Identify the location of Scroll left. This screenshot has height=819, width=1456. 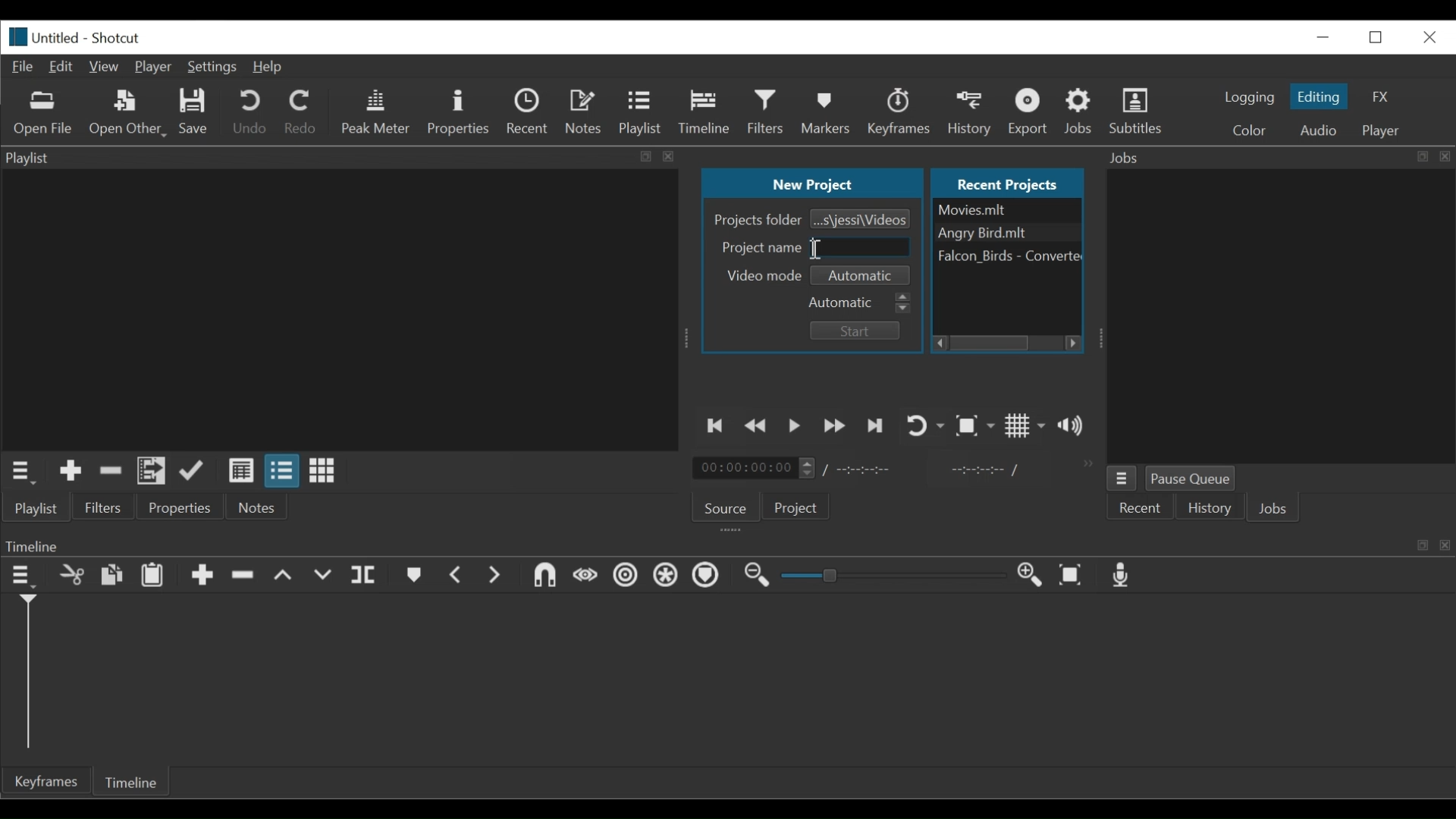
(939, 343).